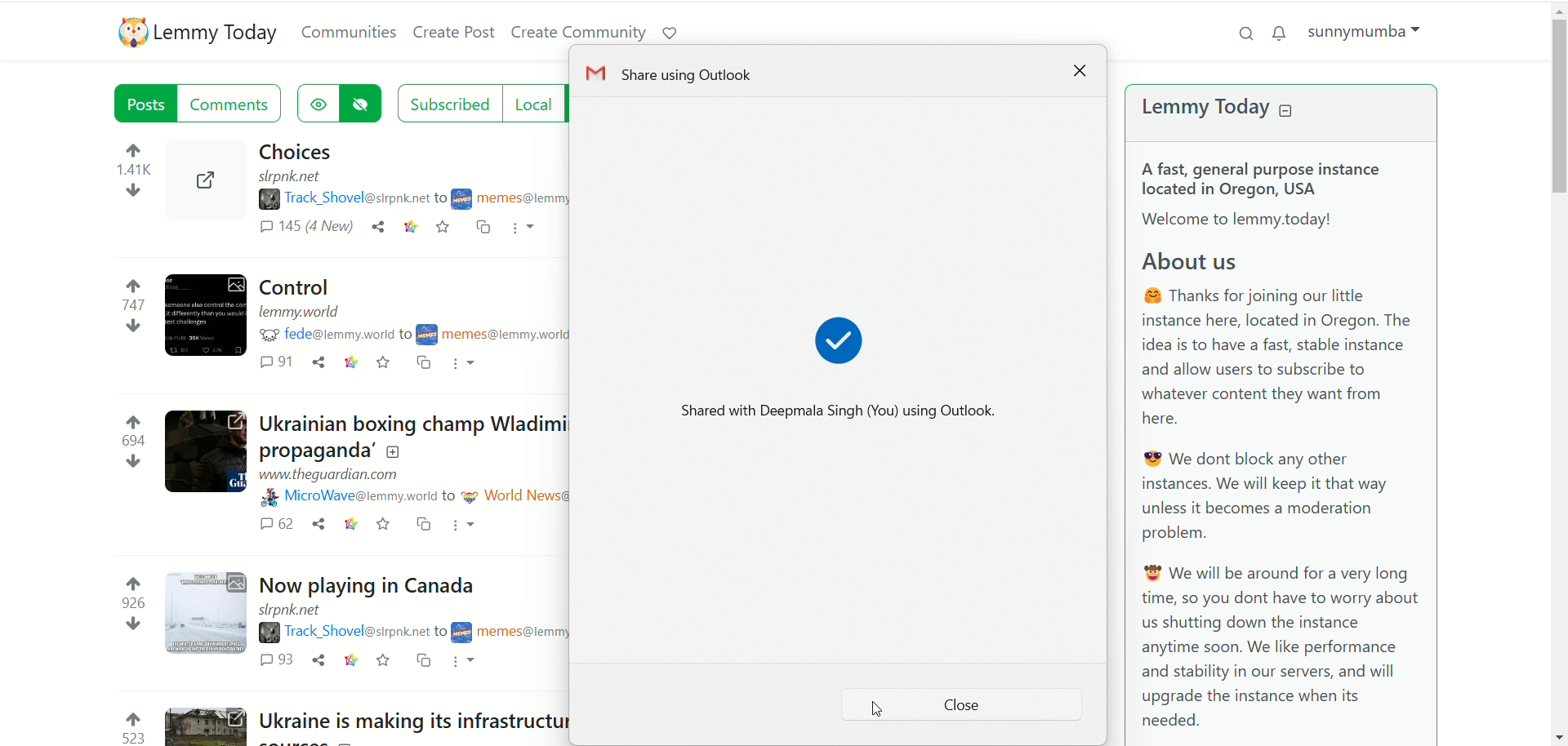 The image size is (1568, 746). I want to click on comments, so click(281, 363).